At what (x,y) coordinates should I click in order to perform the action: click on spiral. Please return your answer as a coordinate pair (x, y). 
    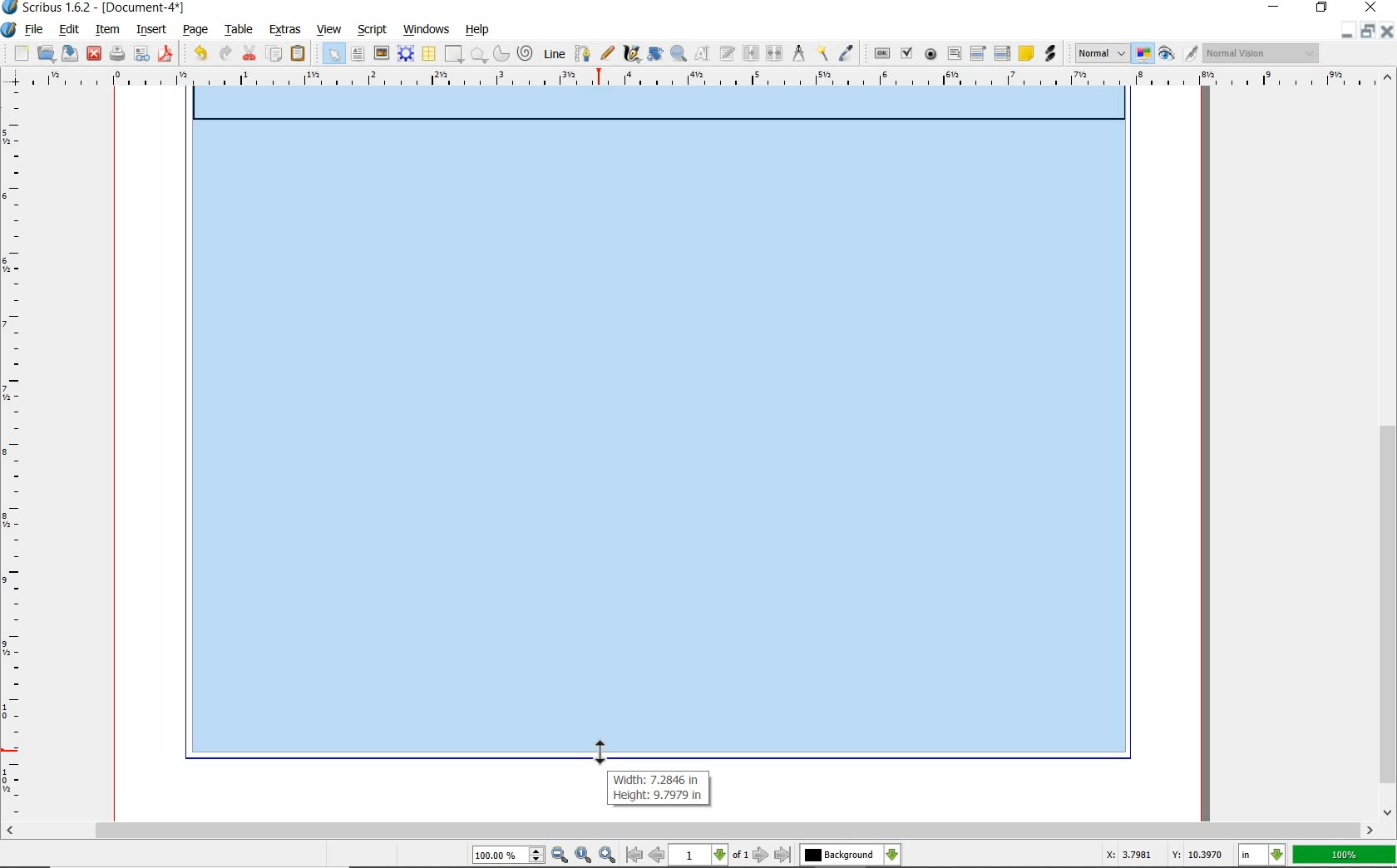
    Looking at the image, I should click on (526, 53).